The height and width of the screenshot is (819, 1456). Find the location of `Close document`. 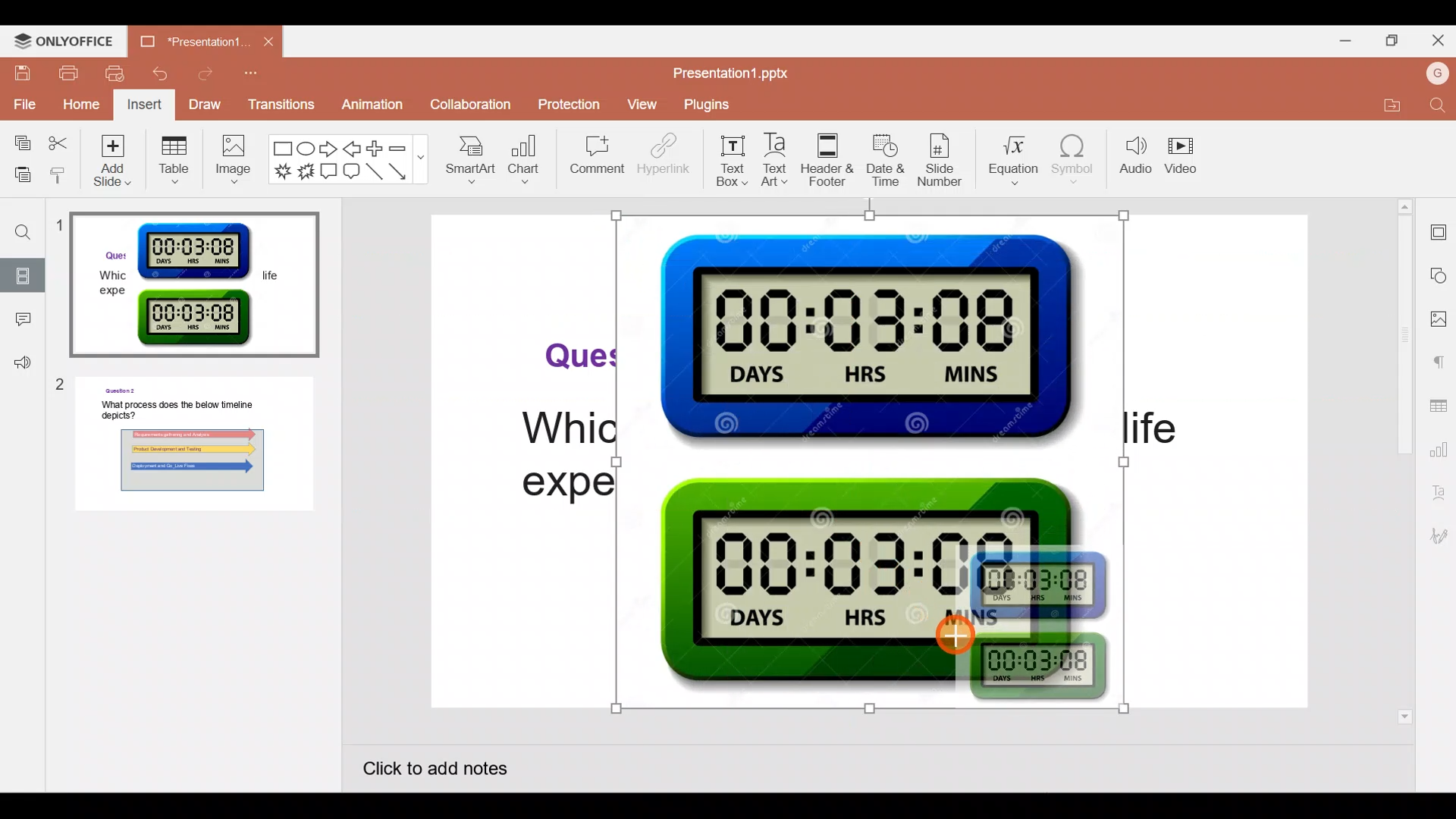

Close document is located at coordinates (268, 44).